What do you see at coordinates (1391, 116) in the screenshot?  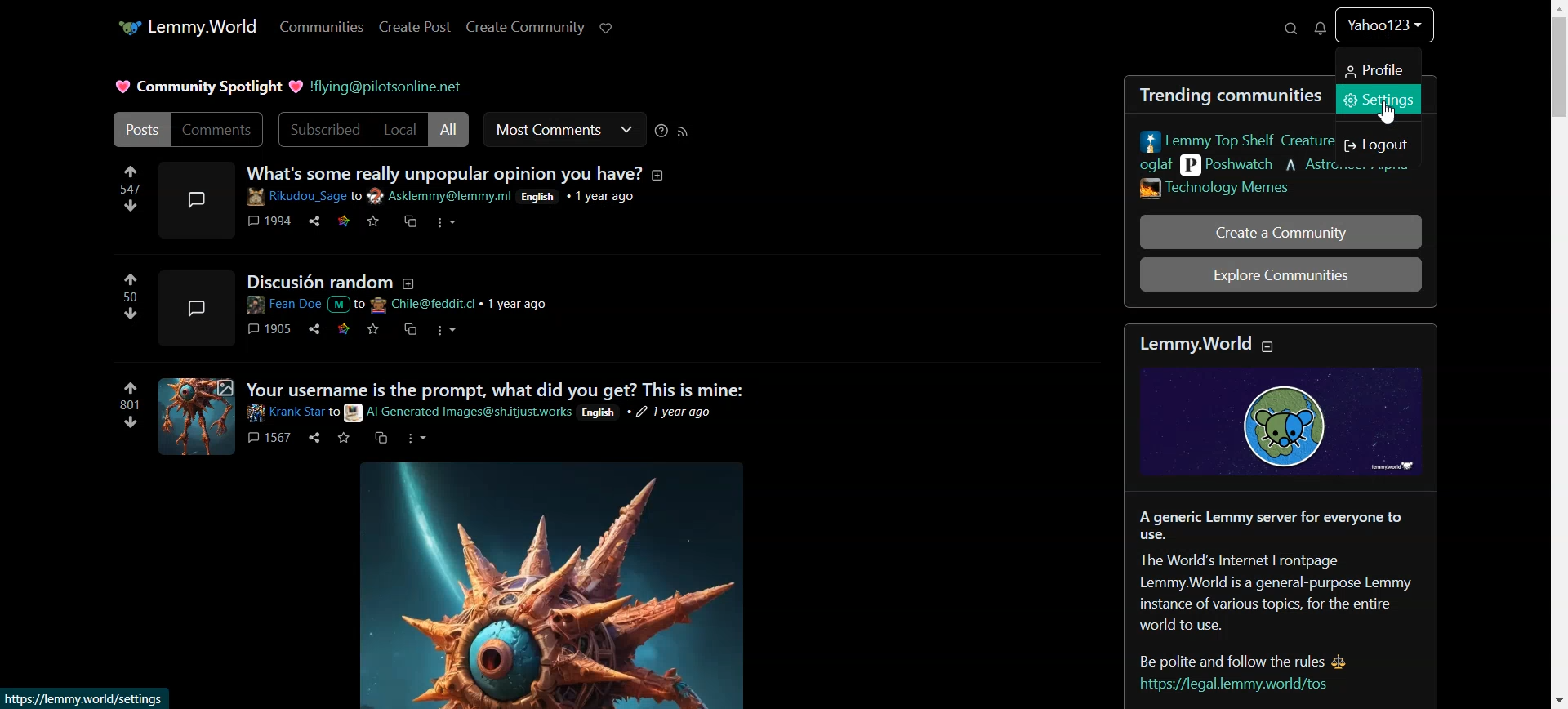 I see `cursor` at bounding box center [1391, 116].